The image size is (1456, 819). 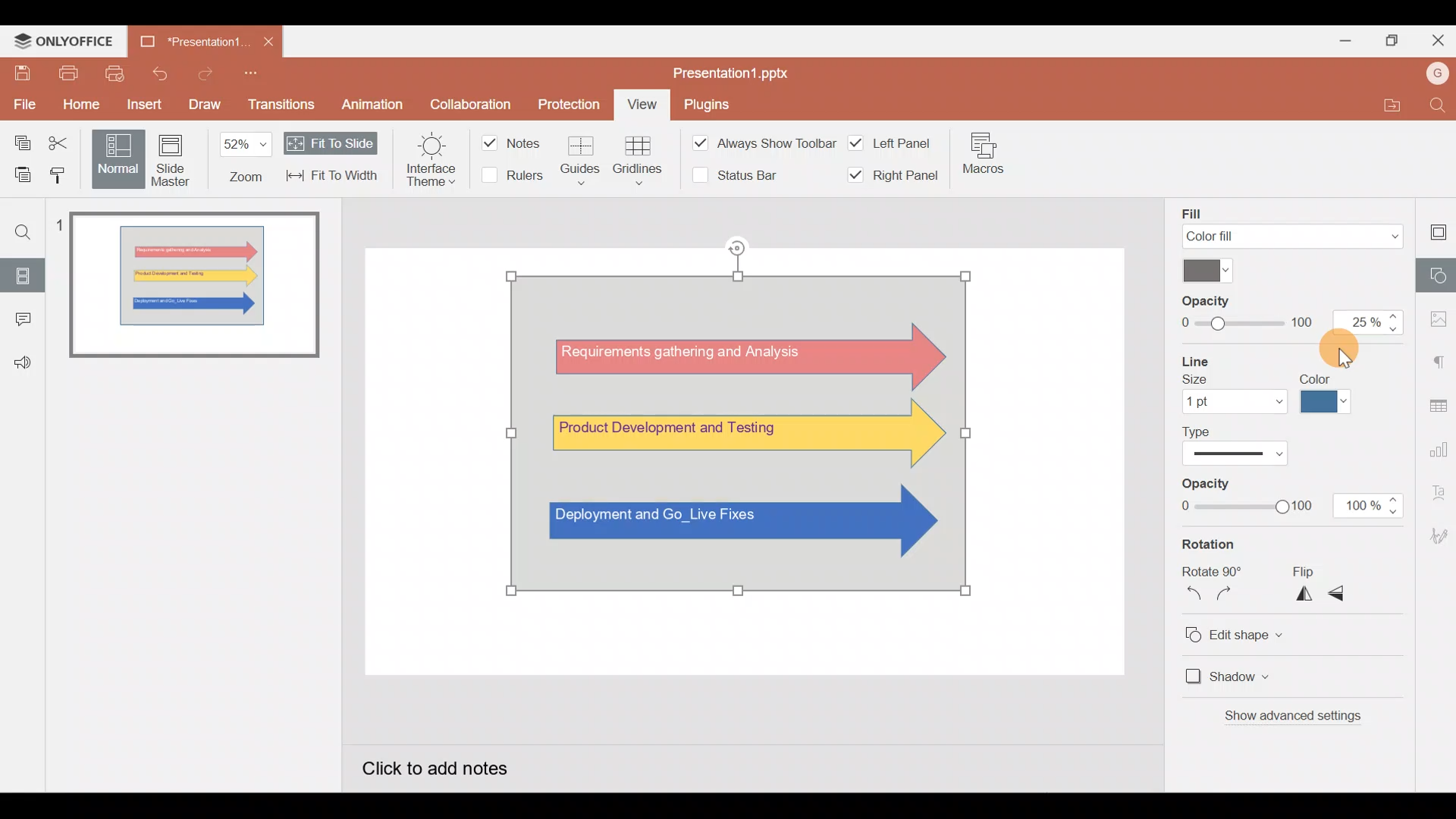 I want to click on Save, so click(x=18, y=71).